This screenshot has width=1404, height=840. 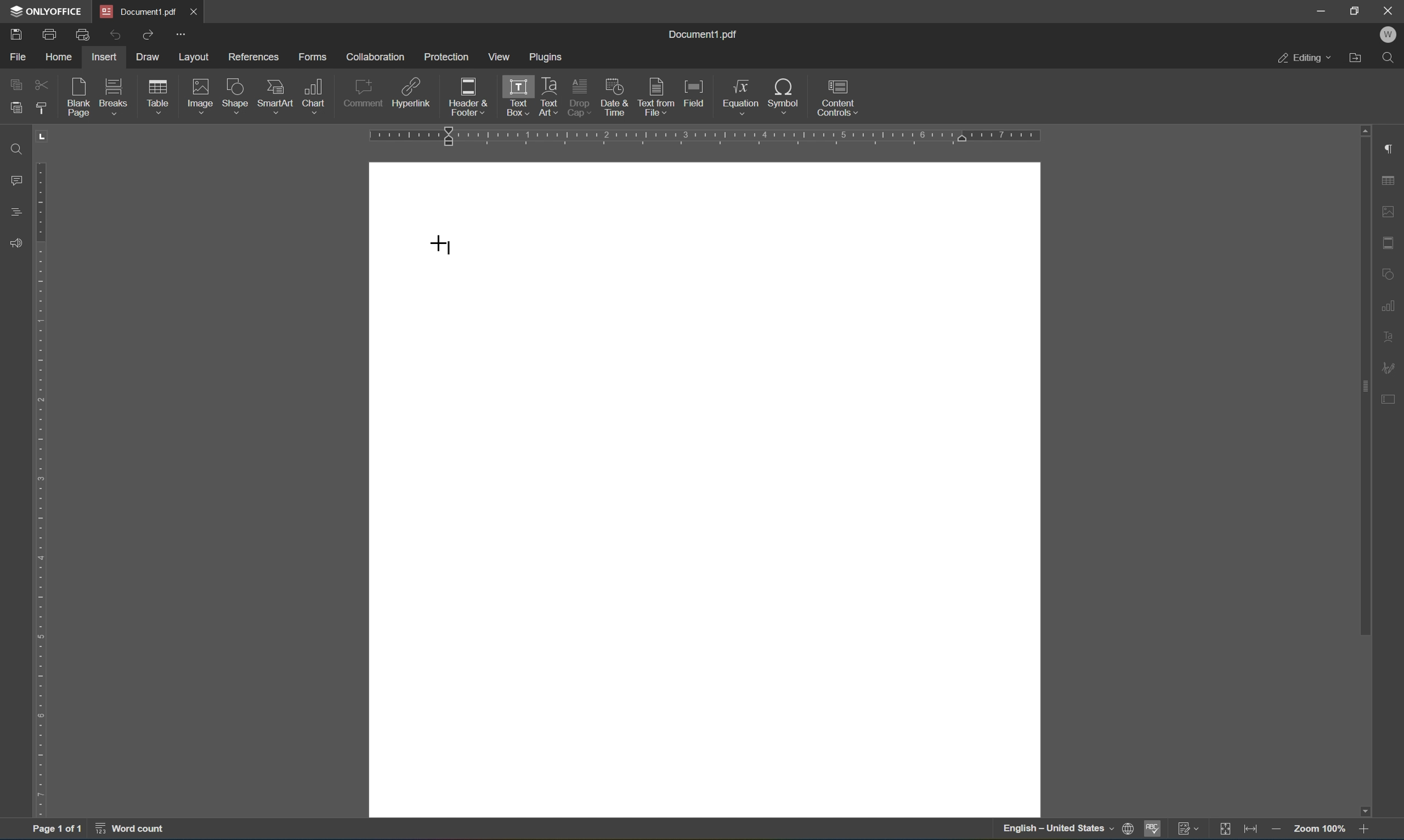 I want to click on Page 1 of 1, so click(x=57, y=830).